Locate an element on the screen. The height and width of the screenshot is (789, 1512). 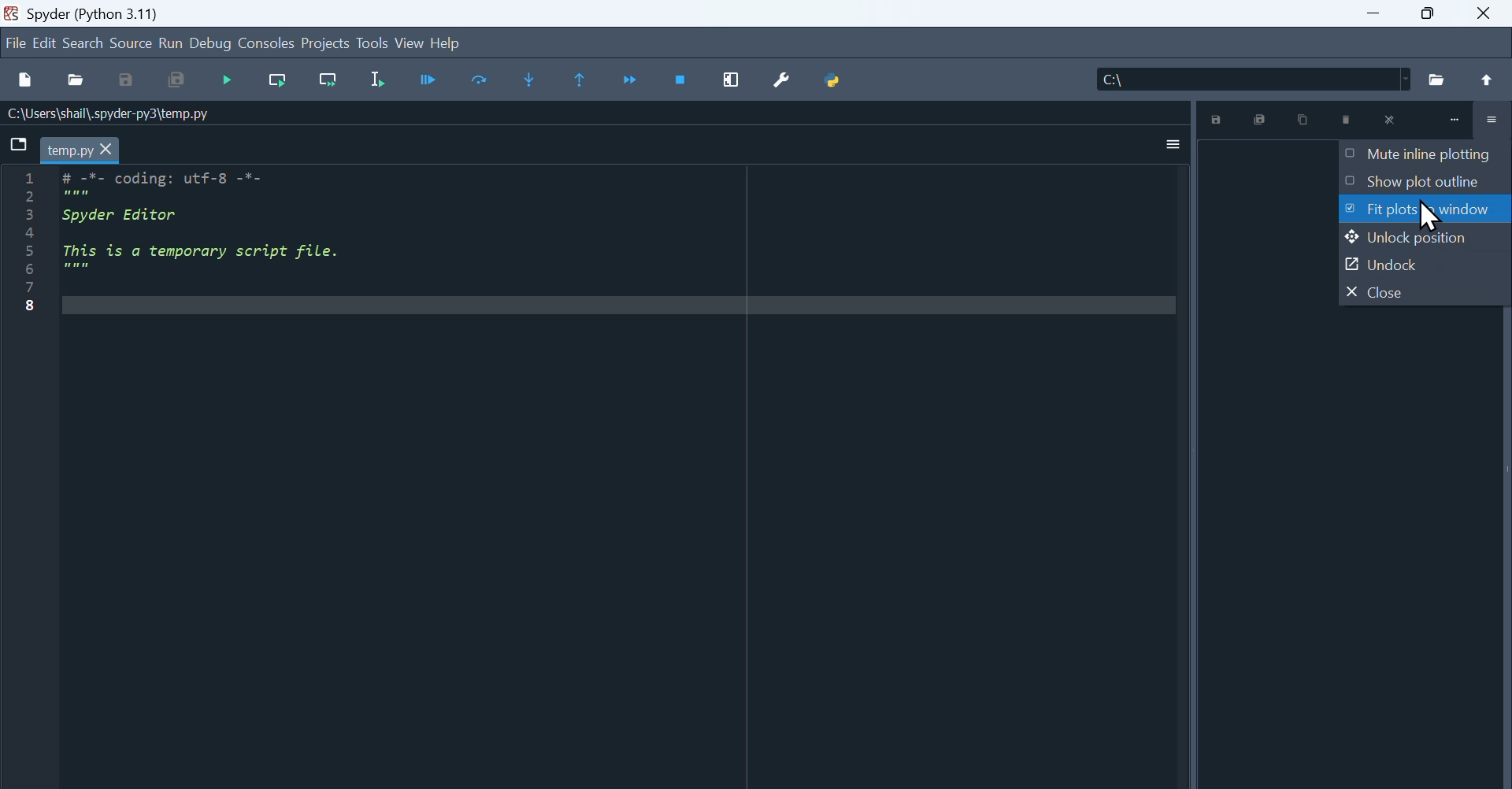
save all is located at coordinates (173, 79).